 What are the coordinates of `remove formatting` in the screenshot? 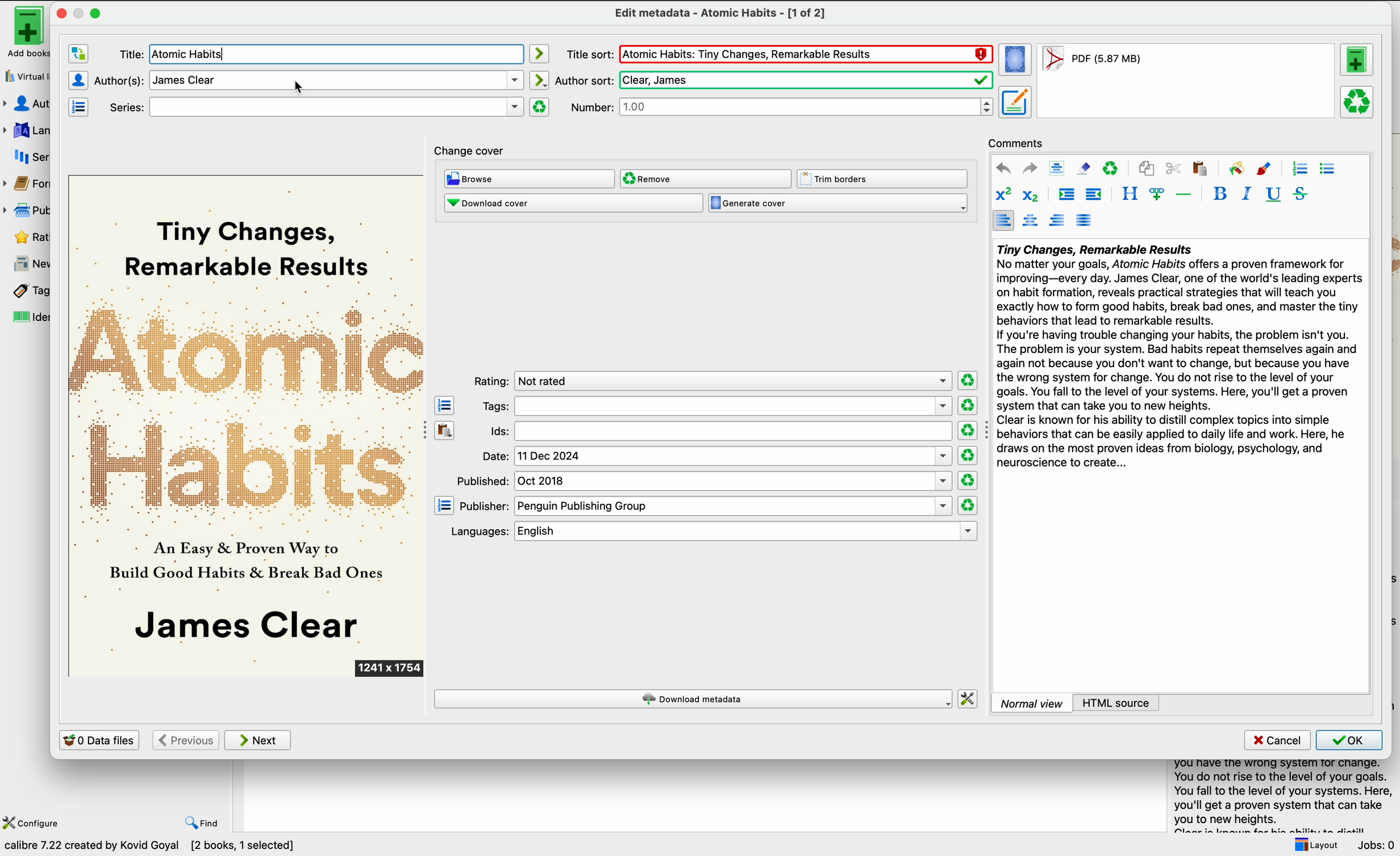 It's located at (1084, 168).